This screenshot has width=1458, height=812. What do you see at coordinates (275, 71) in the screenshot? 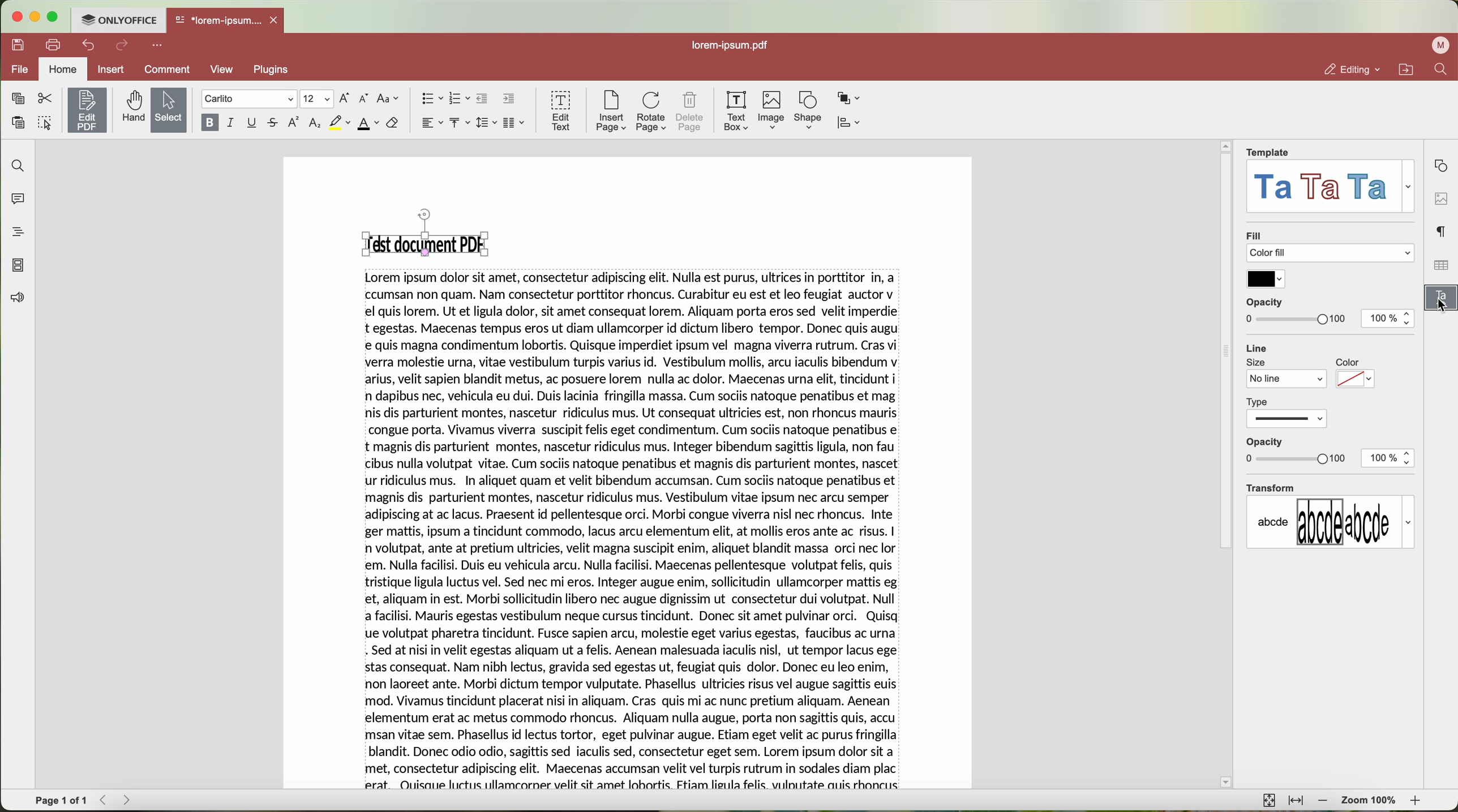
I see `plugins` at bounding box center [275, 71].